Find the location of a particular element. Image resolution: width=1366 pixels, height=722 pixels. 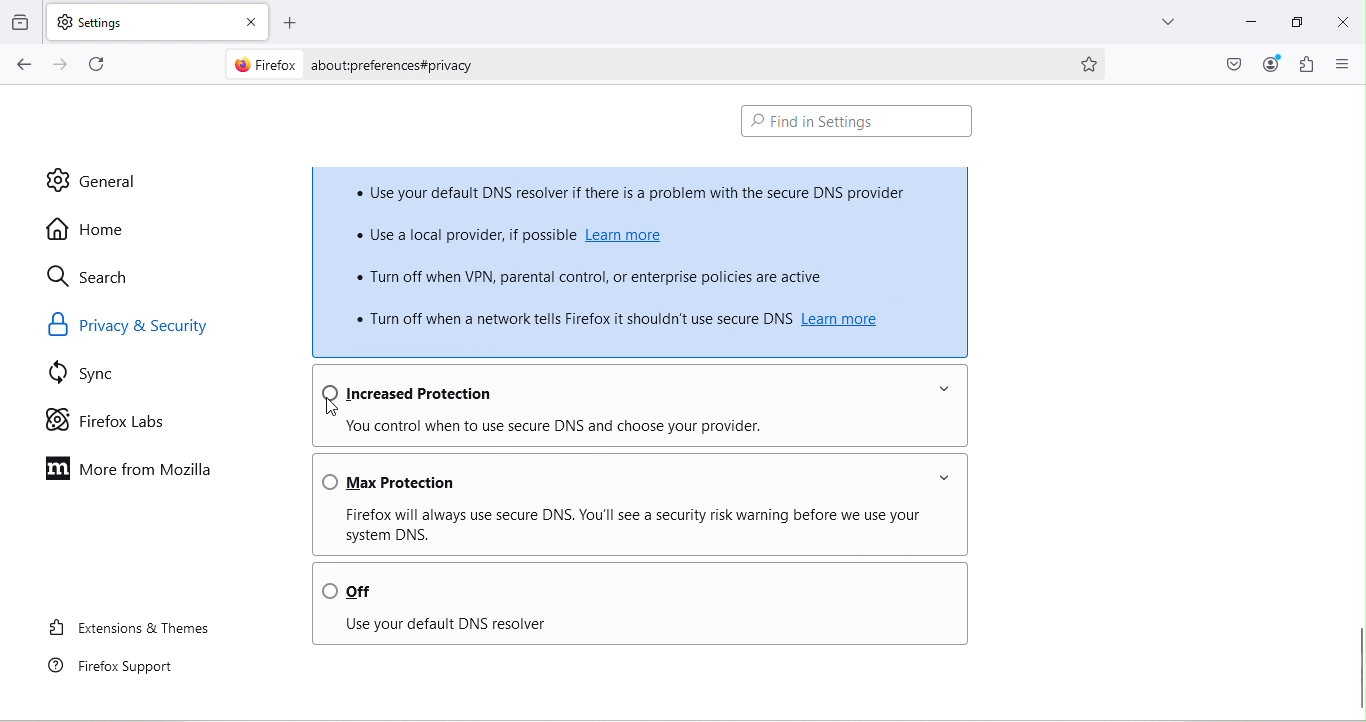

Firefox will always use secure DNS . You'll see a security risk warning before we use your system DNS is located at coordinates (643, 524).